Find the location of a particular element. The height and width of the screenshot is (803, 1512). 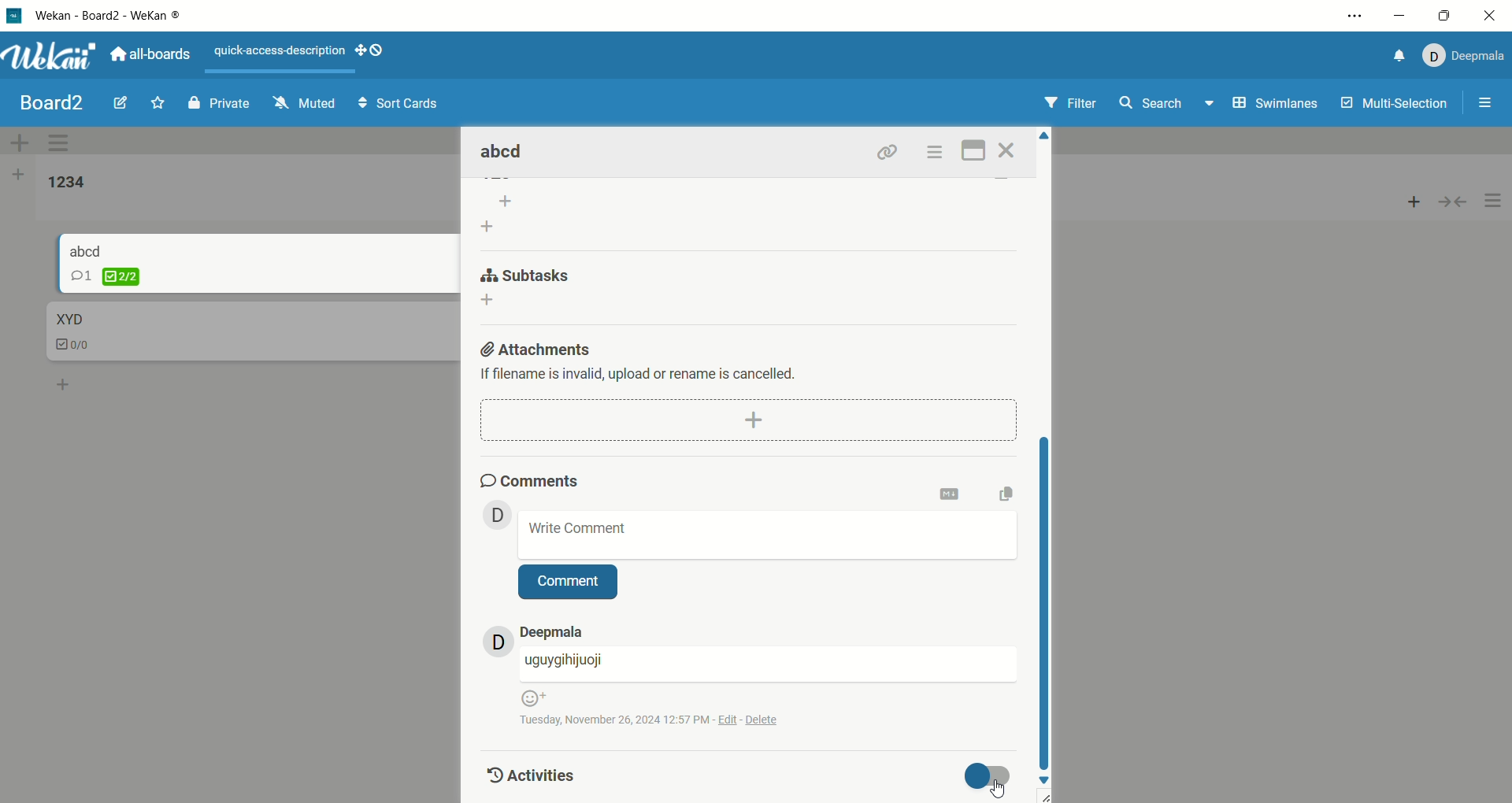

add list is located at coordinates (18, 177).